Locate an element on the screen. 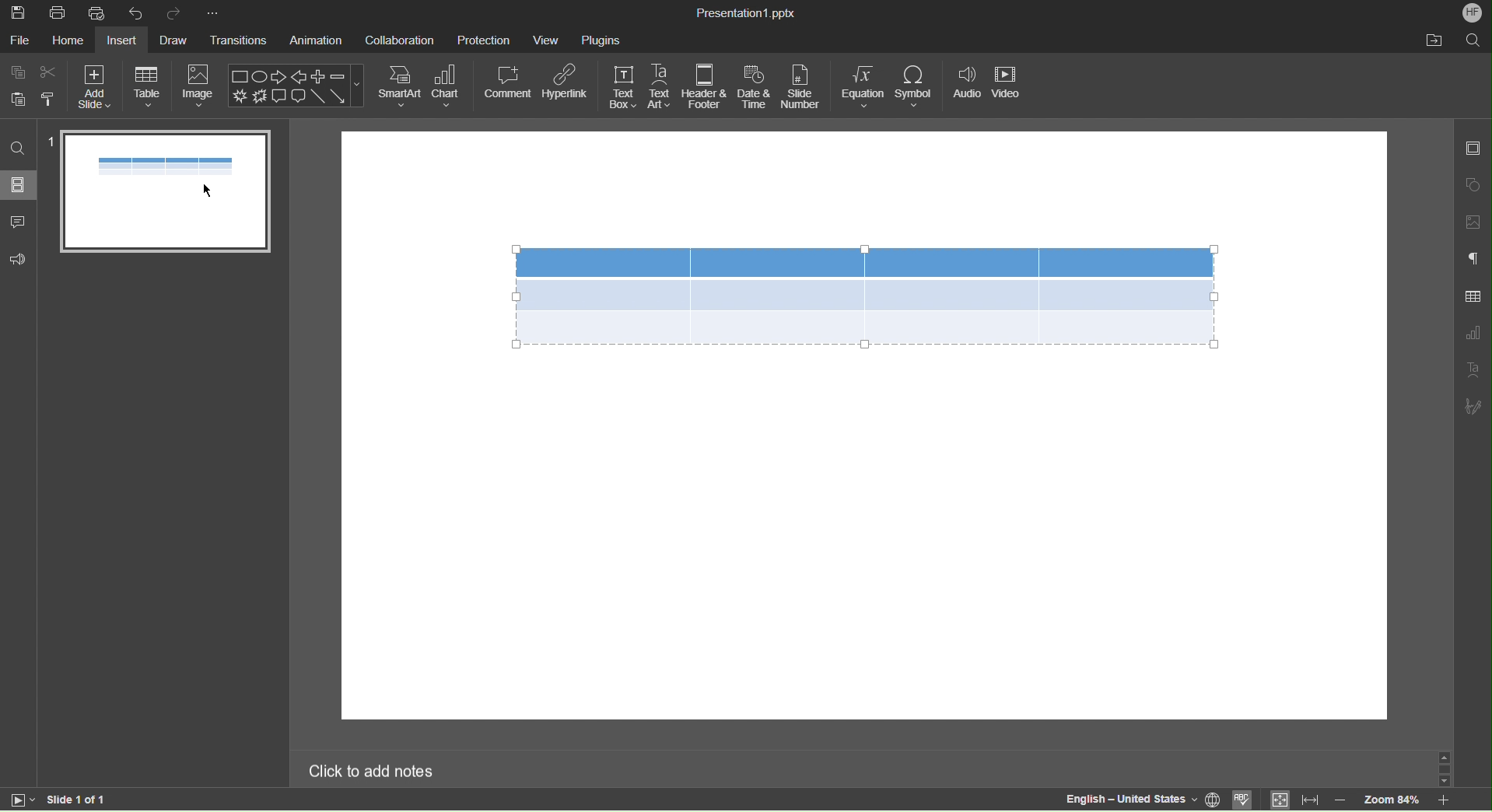 Image resolution: width=1492 pixels, height=812 pixels. Image is located at coordinates (201, 83).